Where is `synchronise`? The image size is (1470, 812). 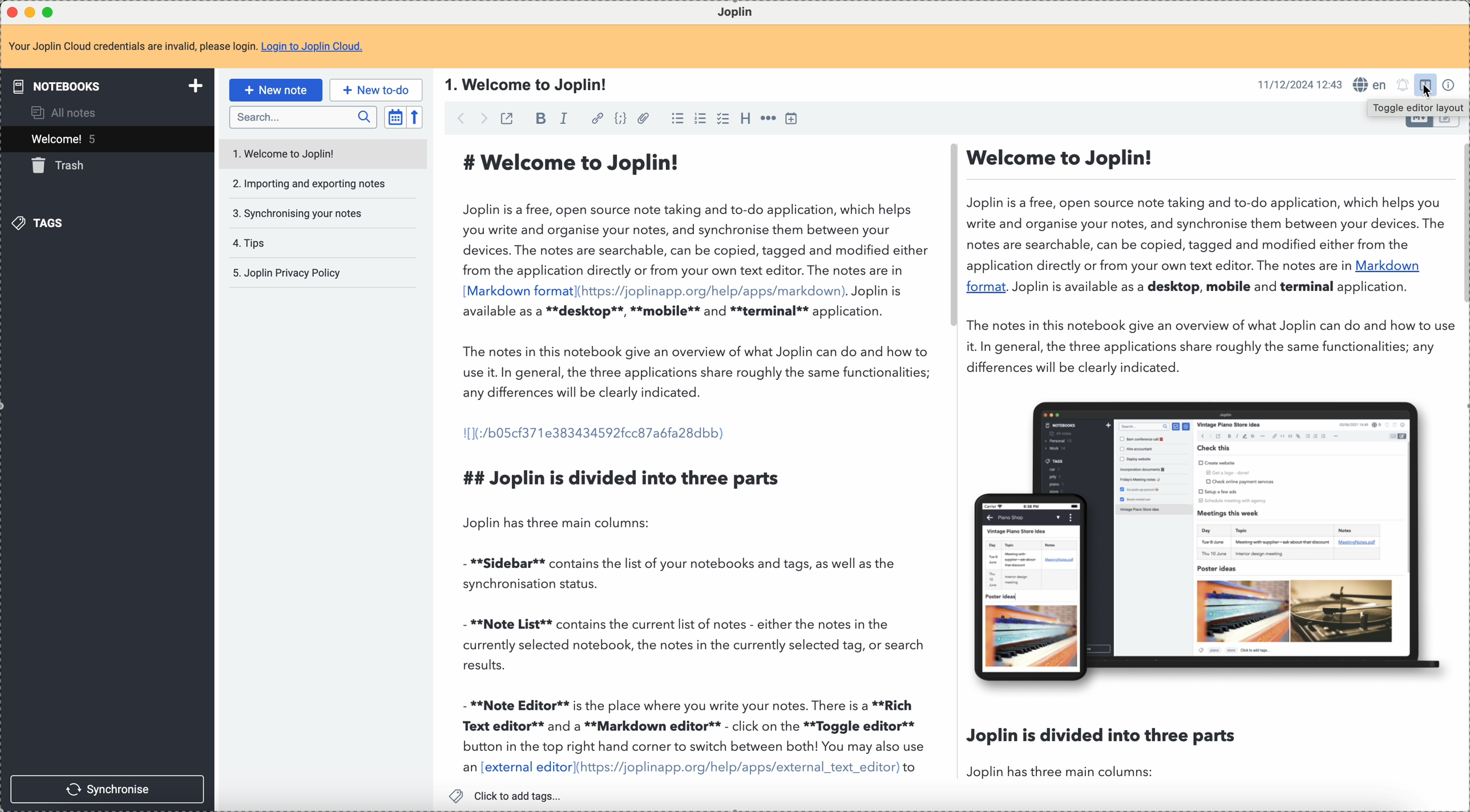 synchronise is located at coordinates (108, 789).